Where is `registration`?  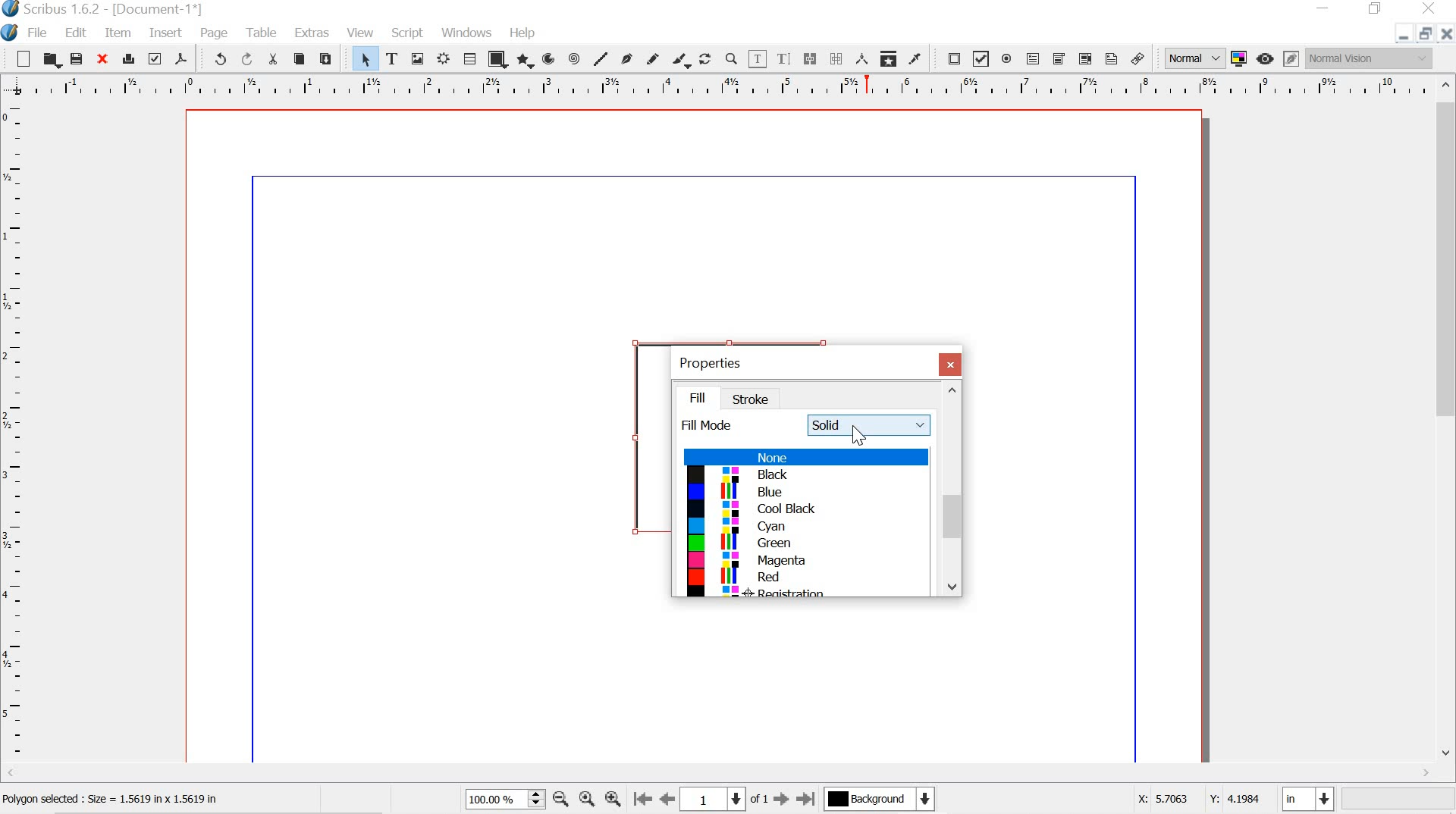
registration is located at coordinates (799, 593).